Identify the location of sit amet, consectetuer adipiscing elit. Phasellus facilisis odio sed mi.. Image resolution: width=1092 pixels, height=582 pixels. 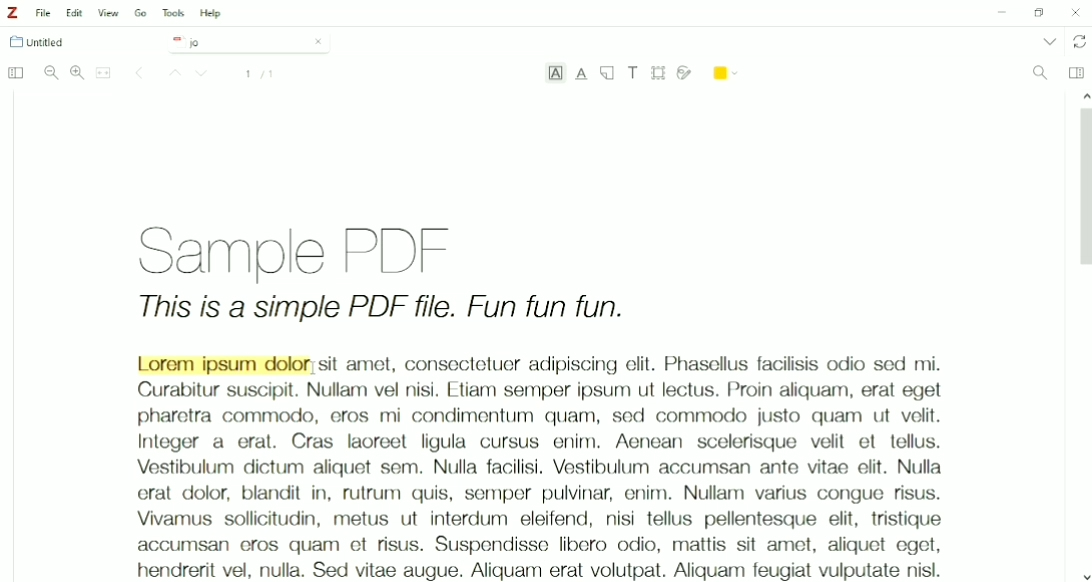
(631, 364).